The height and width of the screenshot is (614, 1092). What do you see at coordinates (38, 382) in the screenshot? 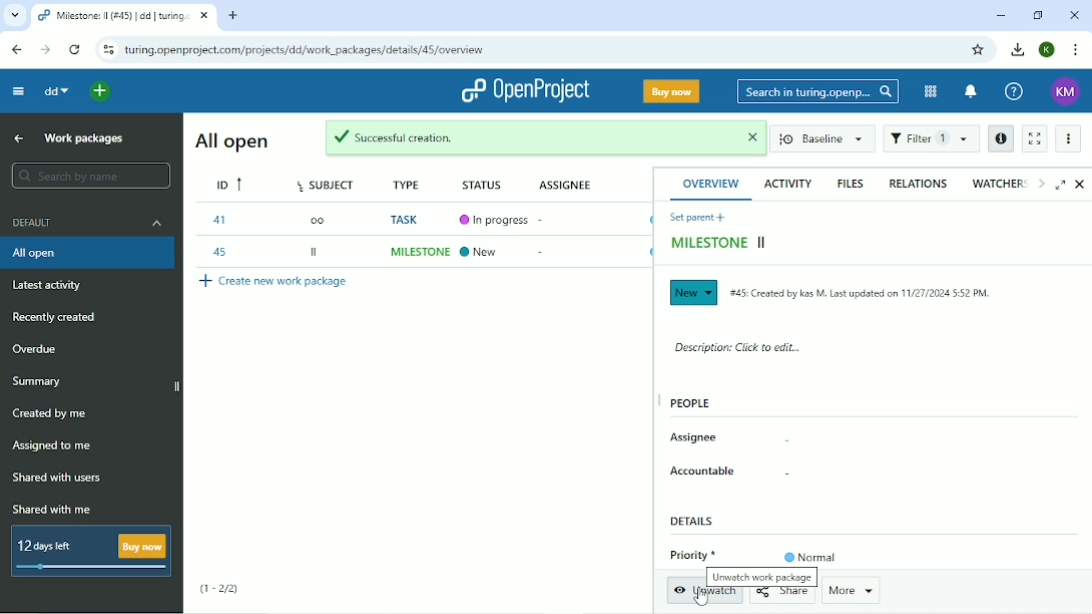
I see `Summary` at bounding box center [38, 382].